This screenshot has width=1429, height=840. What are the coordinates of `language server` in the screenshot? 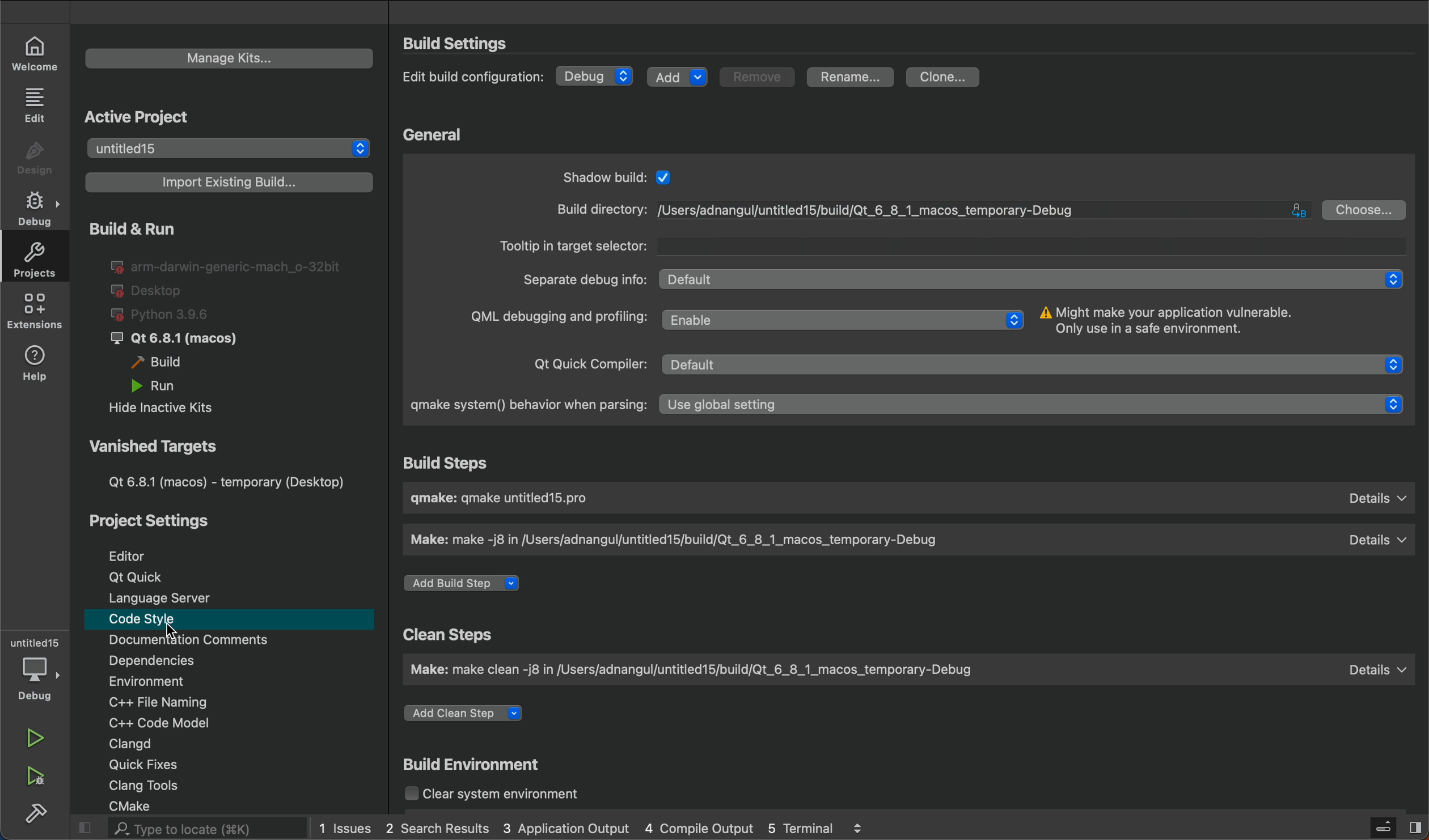 It's located at (166, 599).